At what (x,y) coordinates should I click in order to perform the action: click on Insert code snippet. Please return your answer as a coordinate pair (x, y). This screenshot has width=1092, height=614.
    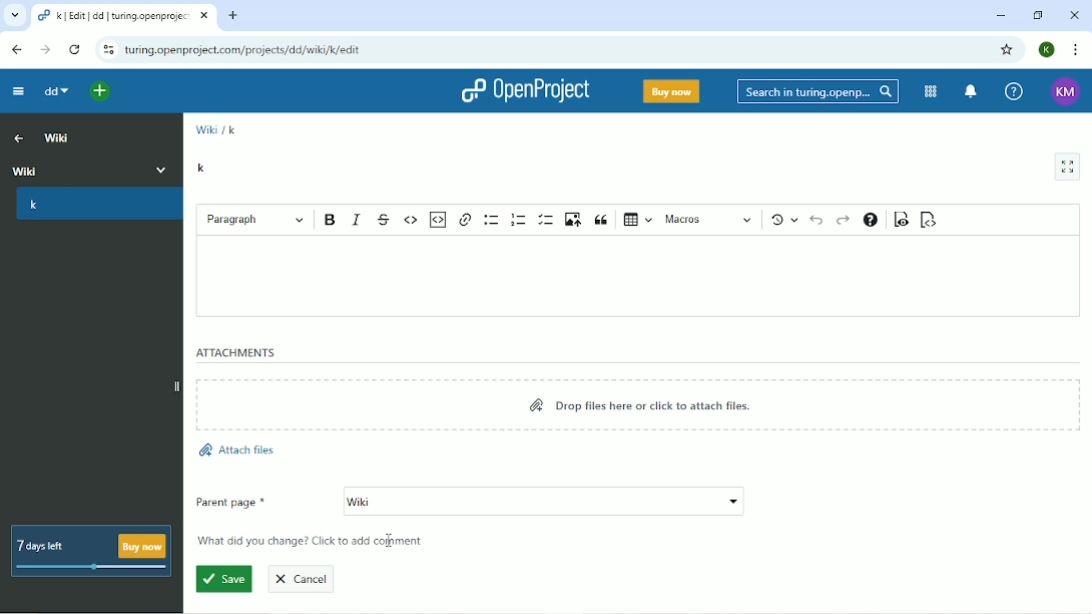
    Looking at the image, I should click on (439, 219).